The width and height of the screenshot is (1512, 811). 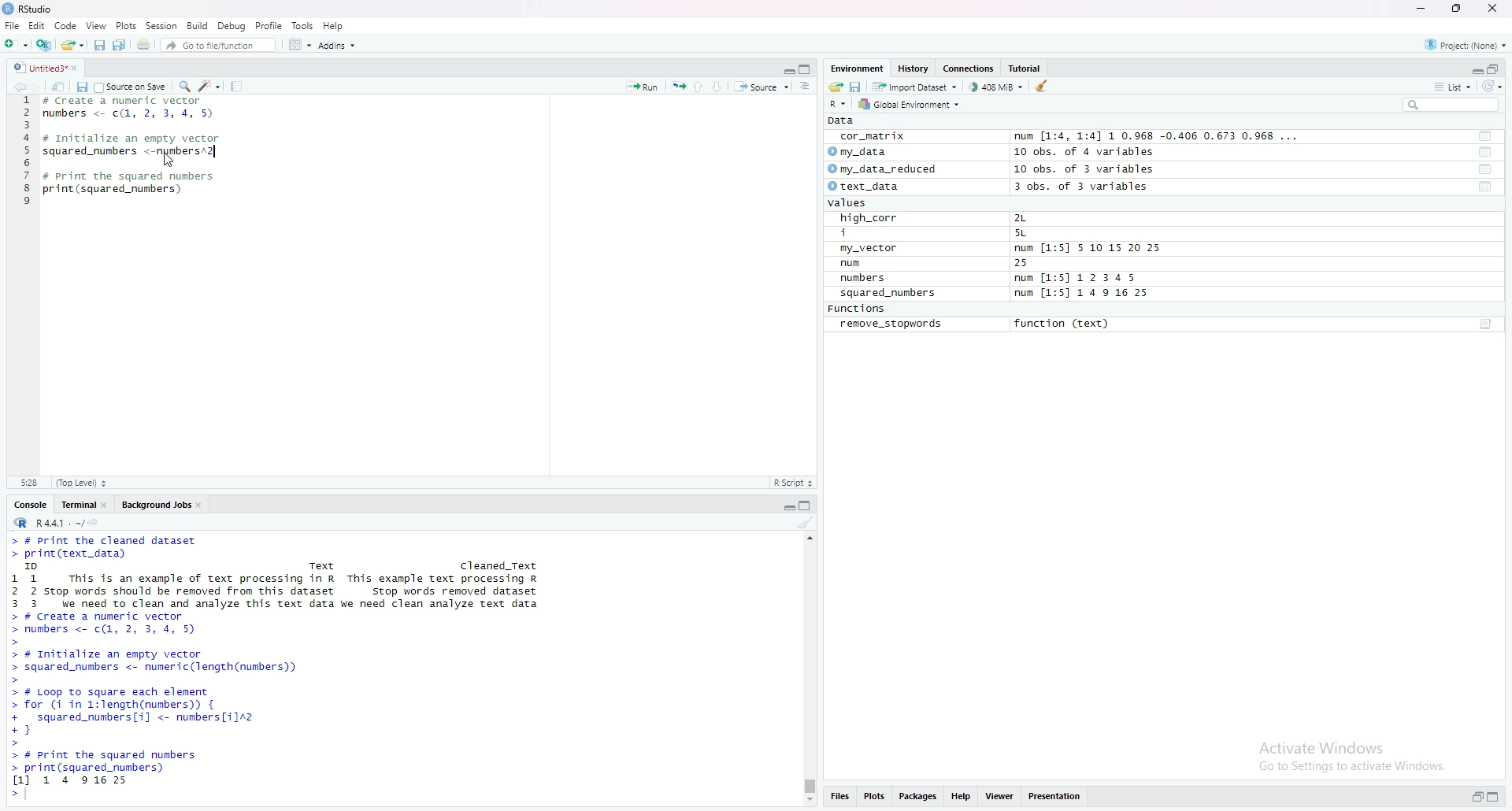 What do you see at coordinates (1158, 137) in the screenshot?
I see `num [1:4, 1:4] 1 0.968 -0.406 0.673 0.968 ...` at bounding box center [1158, 137].